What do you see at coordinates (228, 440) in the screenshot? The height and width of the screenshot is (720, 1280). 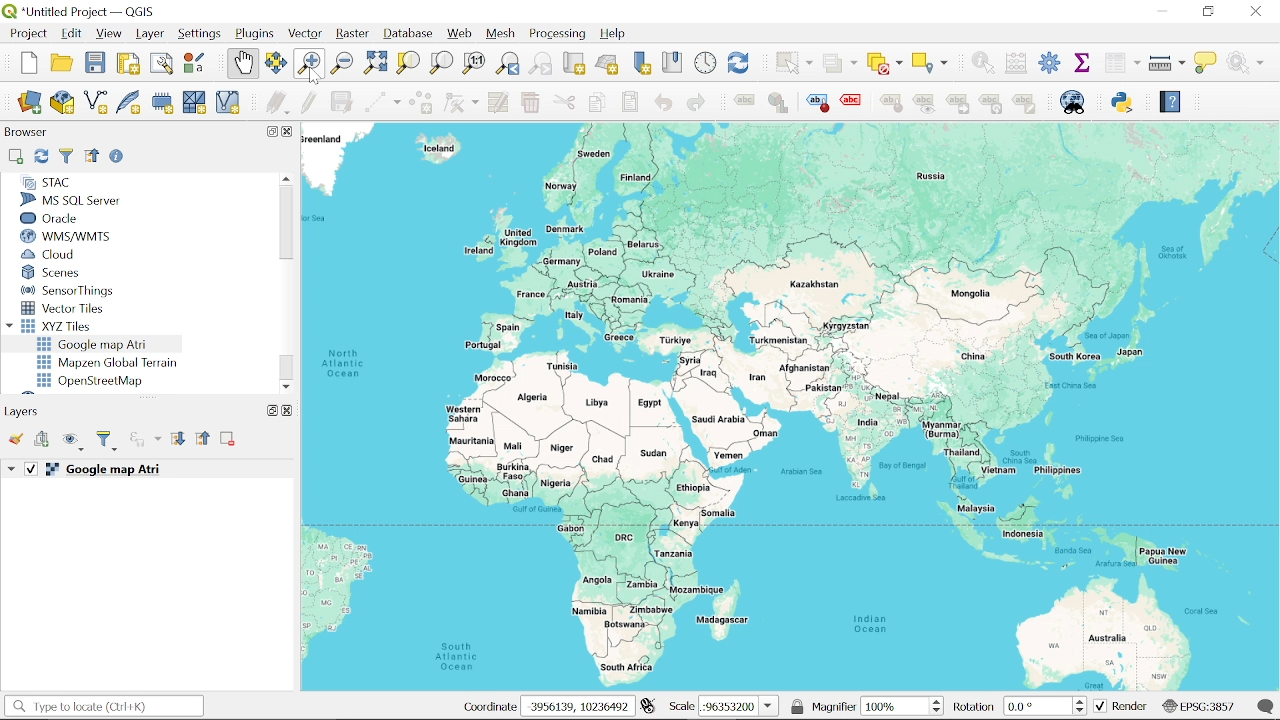 I see `Remove layer/group` at bounding box center [228, 440].